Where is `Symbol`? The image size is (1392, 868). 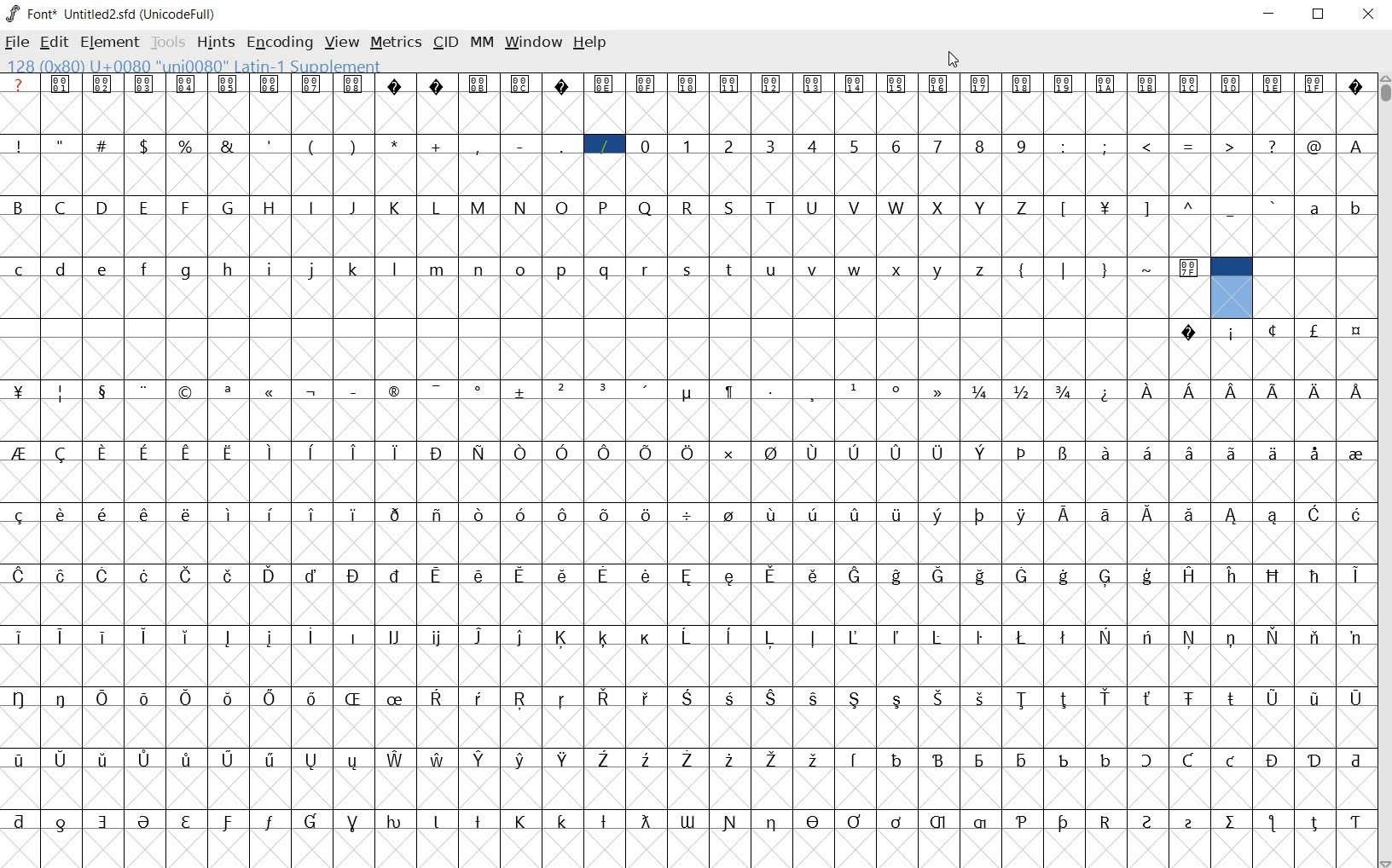
Symbol is located at coordinates (896, 636).